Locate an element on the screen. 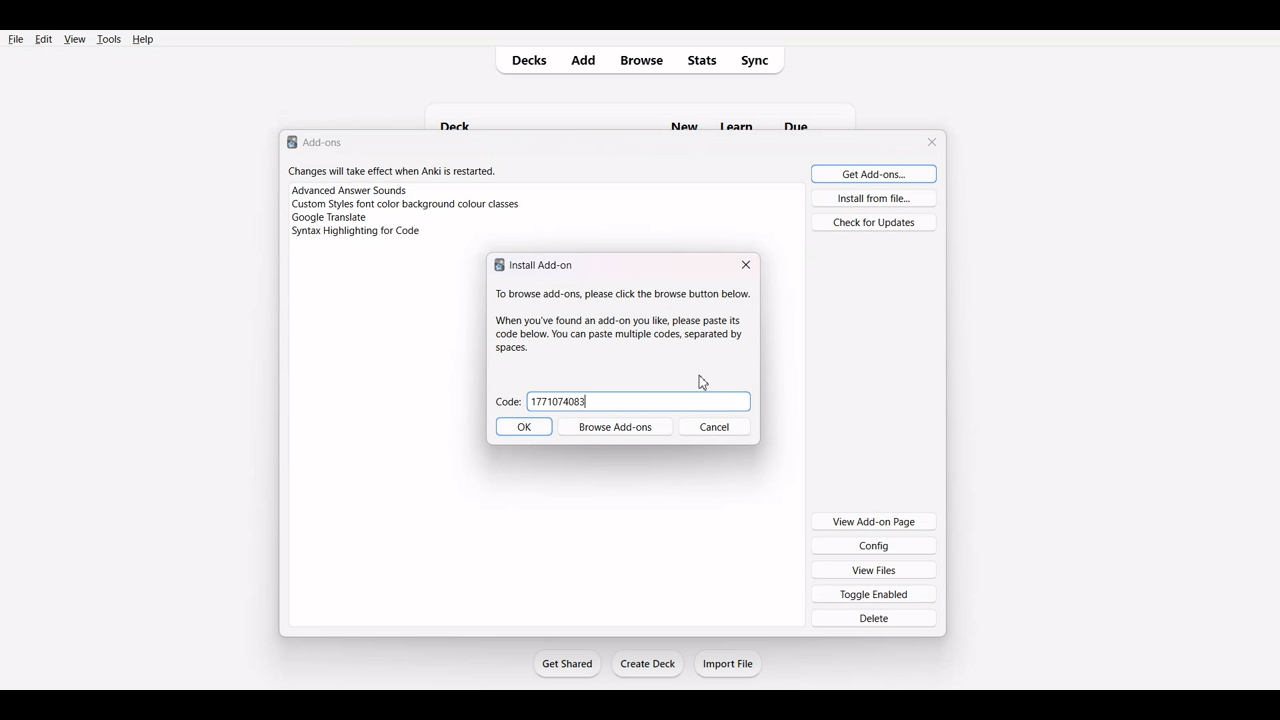 This screenshot has height=720, width=1280. Toggle Enabled is located at coordinates (875, 593).